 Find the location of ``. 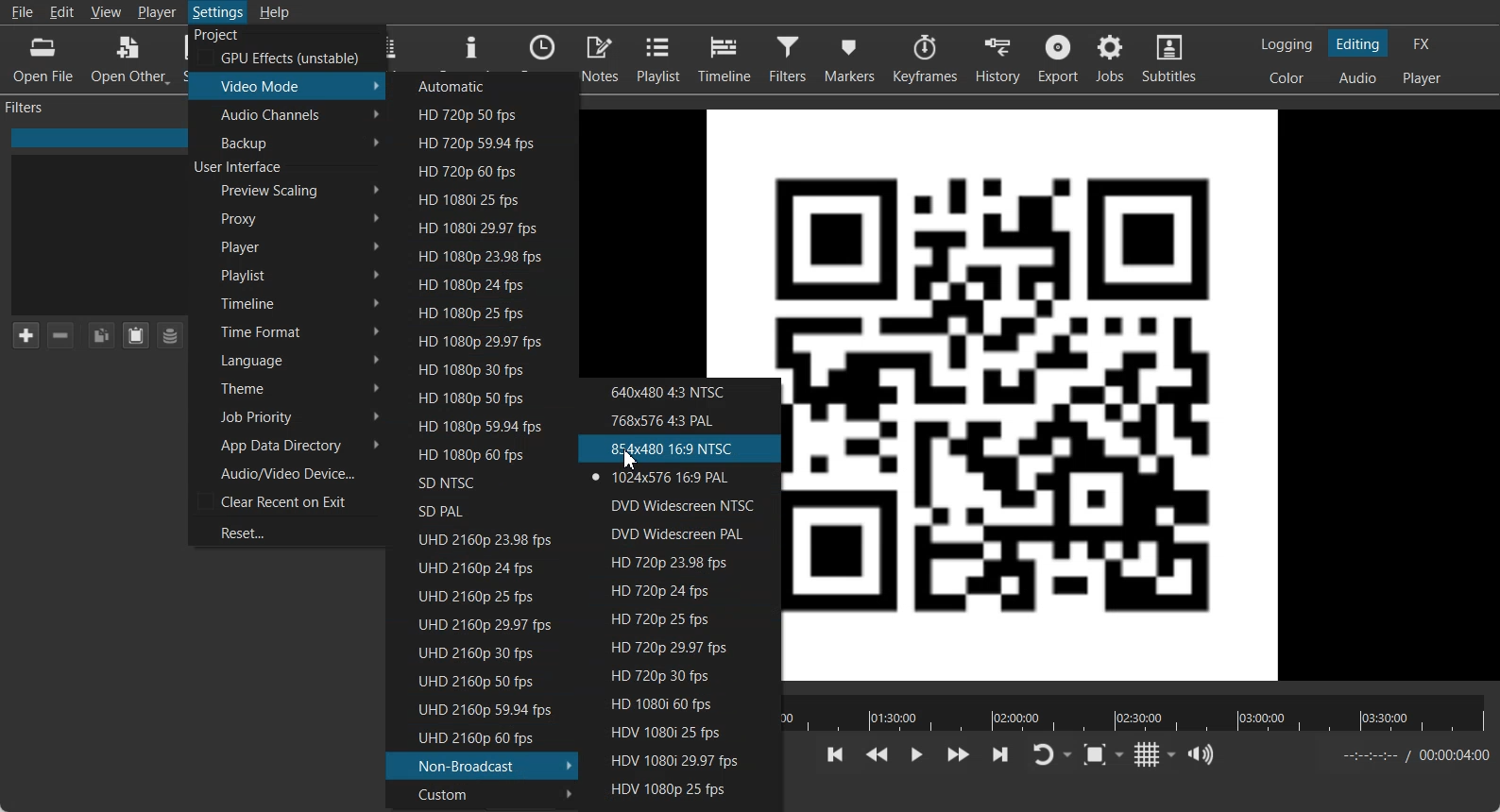

 is located at coordinates (169, 335).